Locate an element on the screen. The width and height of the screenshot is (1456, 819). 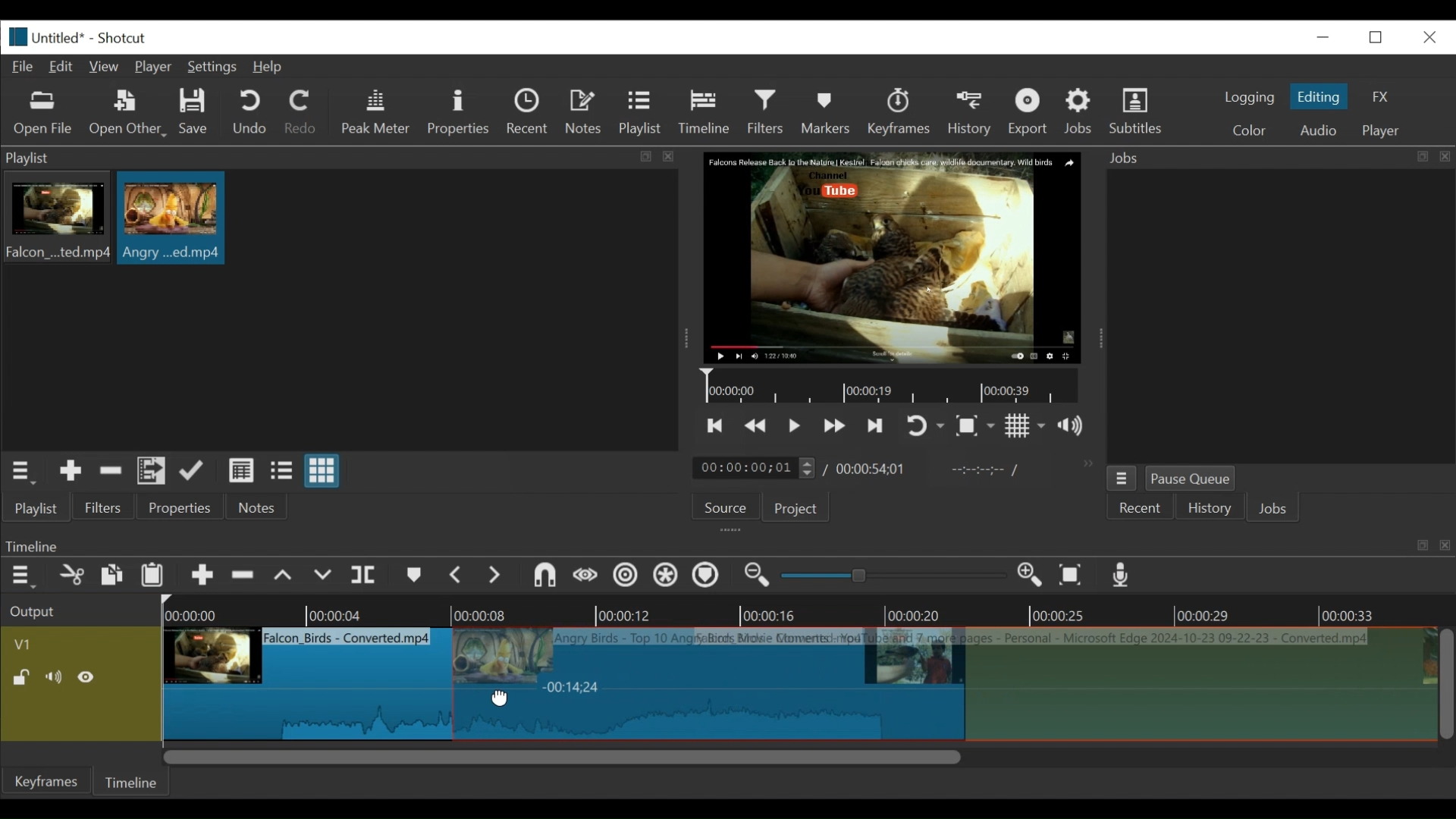
Save is located at coordinates (194, 114).